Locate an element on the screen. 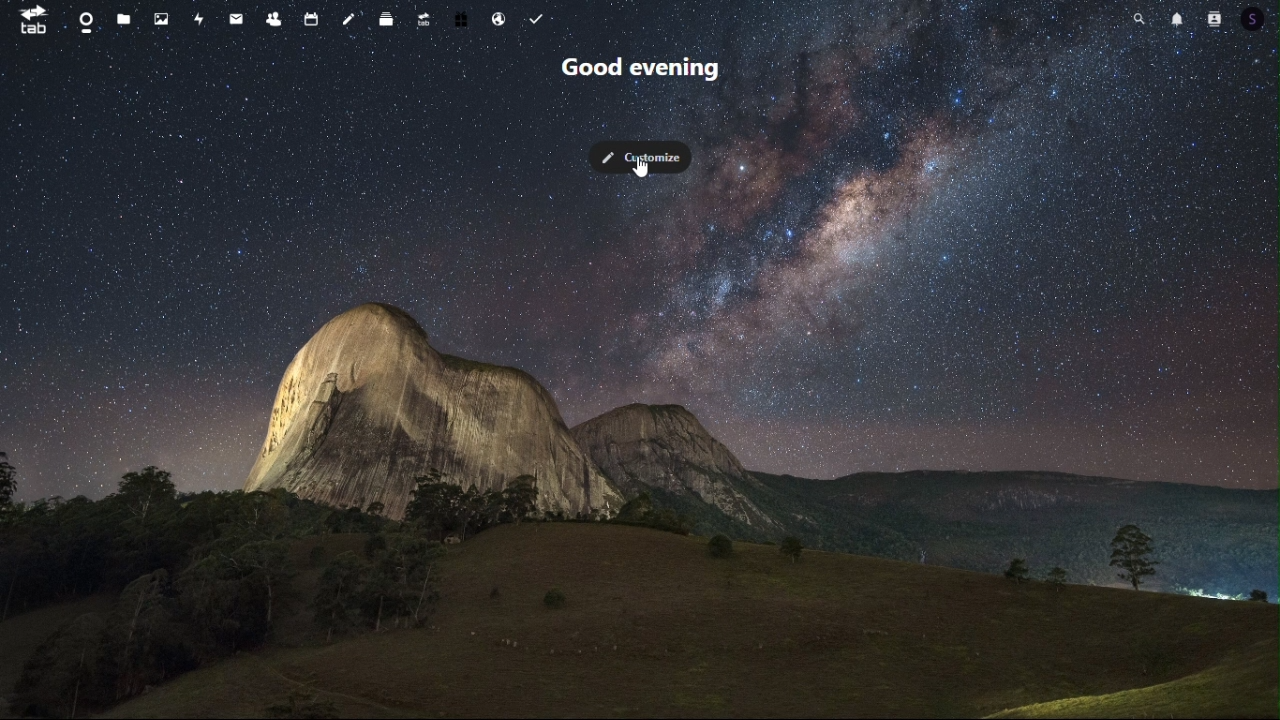 Image resolution: width=1280 pixels, height=720 pixels. mail is located at coordinates (237, 17).